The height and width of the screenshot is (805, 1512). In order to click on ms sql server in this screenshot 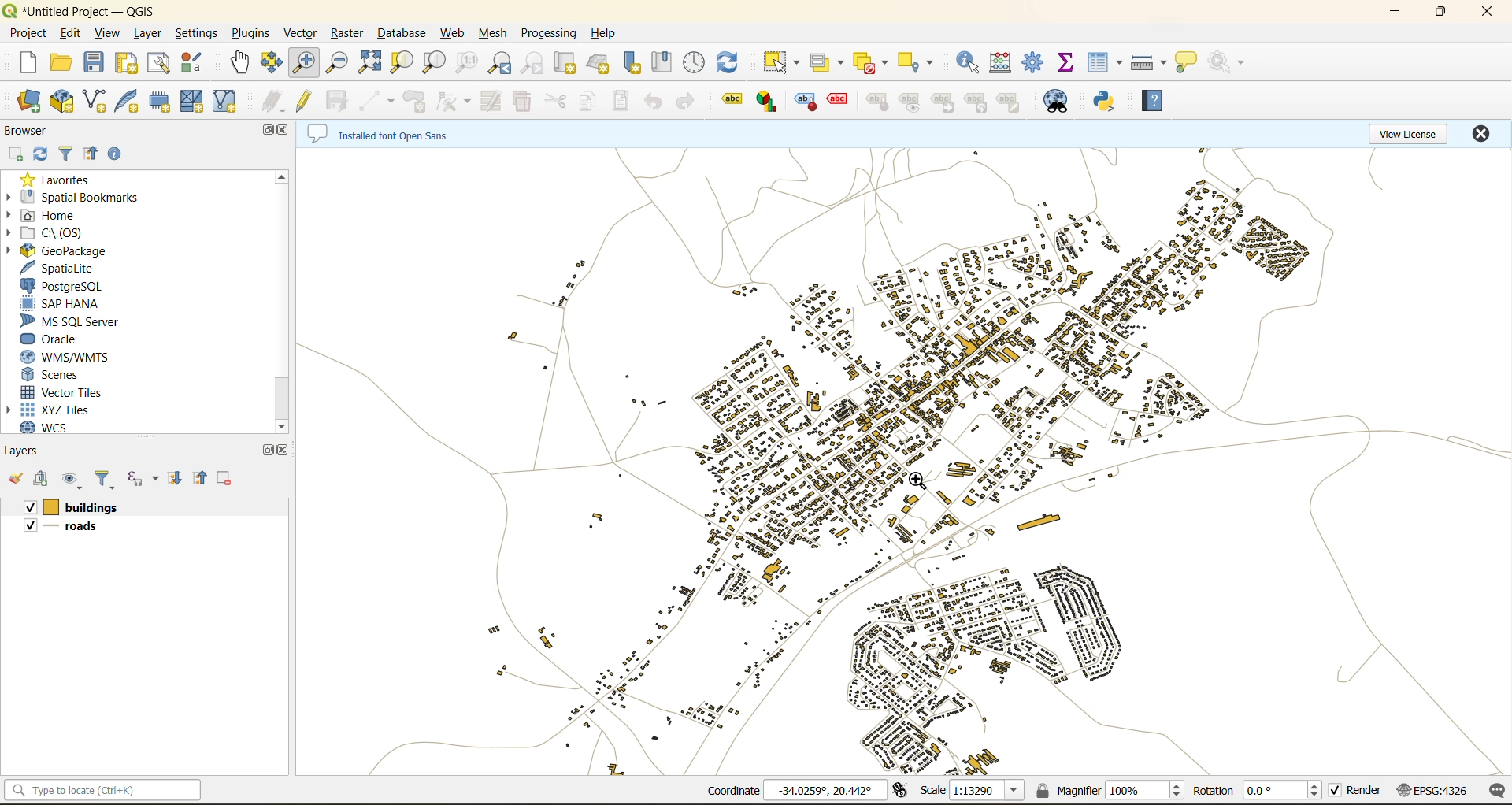, I will do `click(78, 321)`.